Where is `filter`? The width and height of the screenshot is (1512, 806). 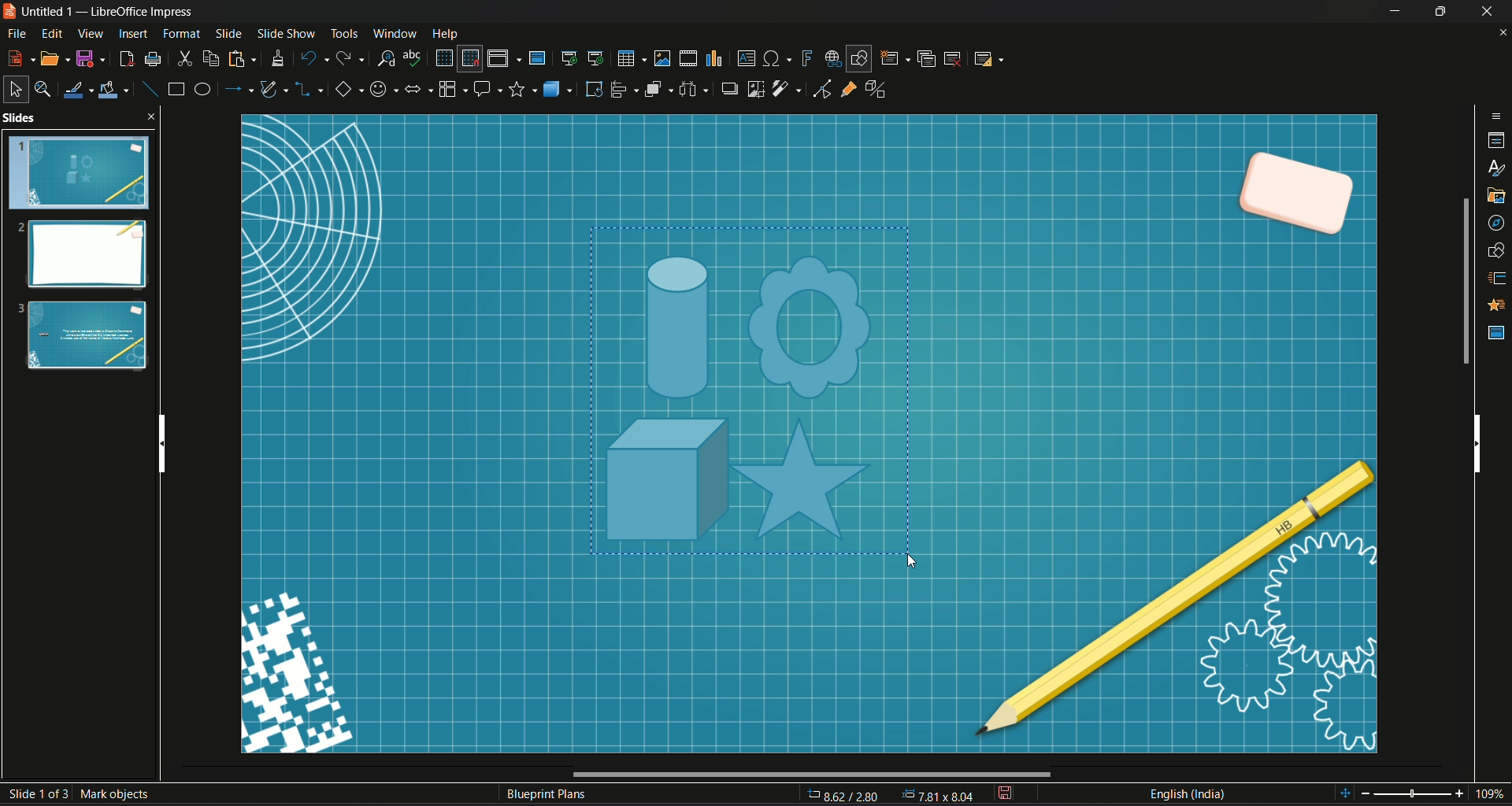 filter is located at coordinates (787, 89).